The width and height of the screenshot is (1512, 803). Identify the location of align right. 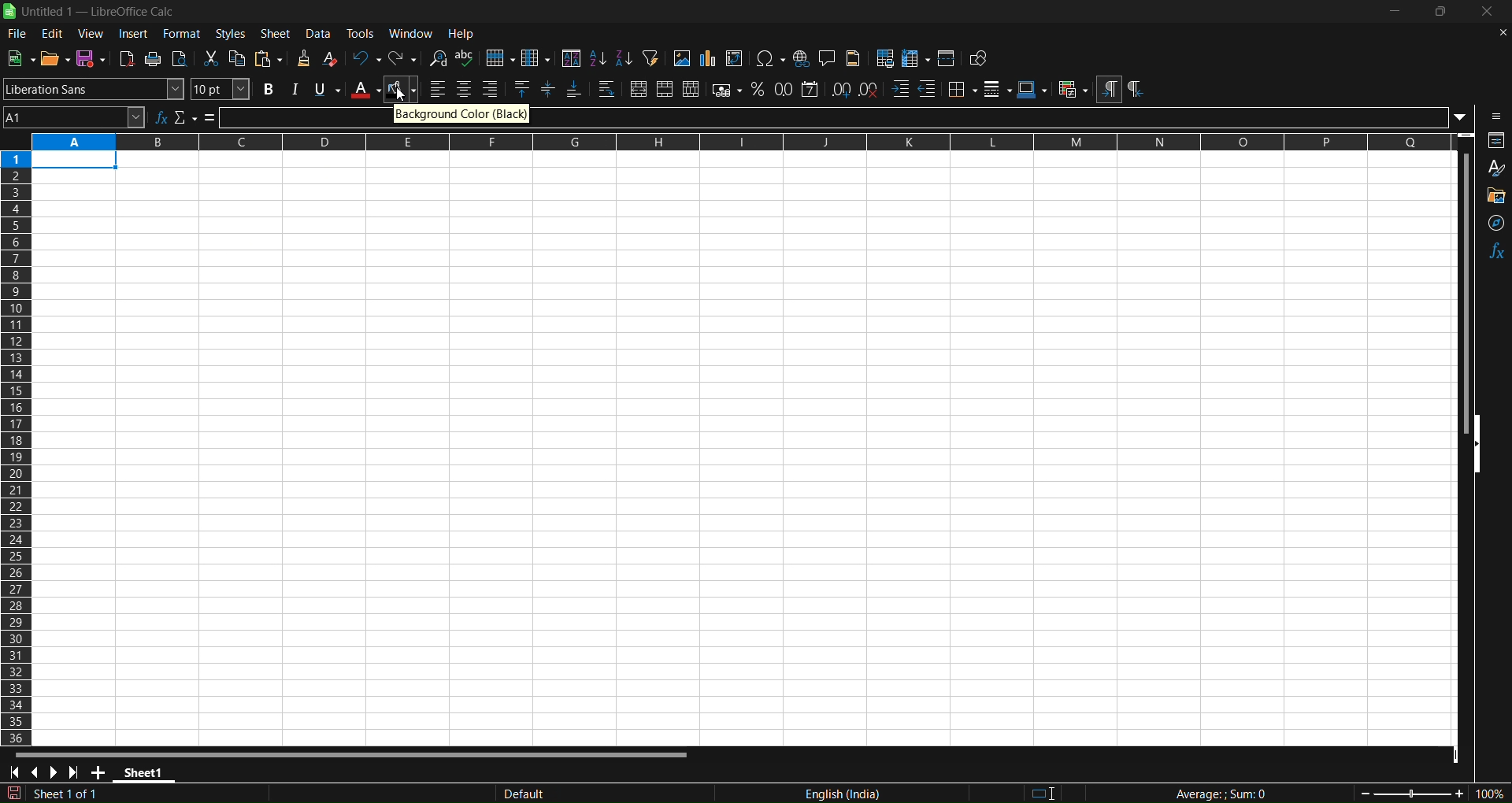
(491, 88).